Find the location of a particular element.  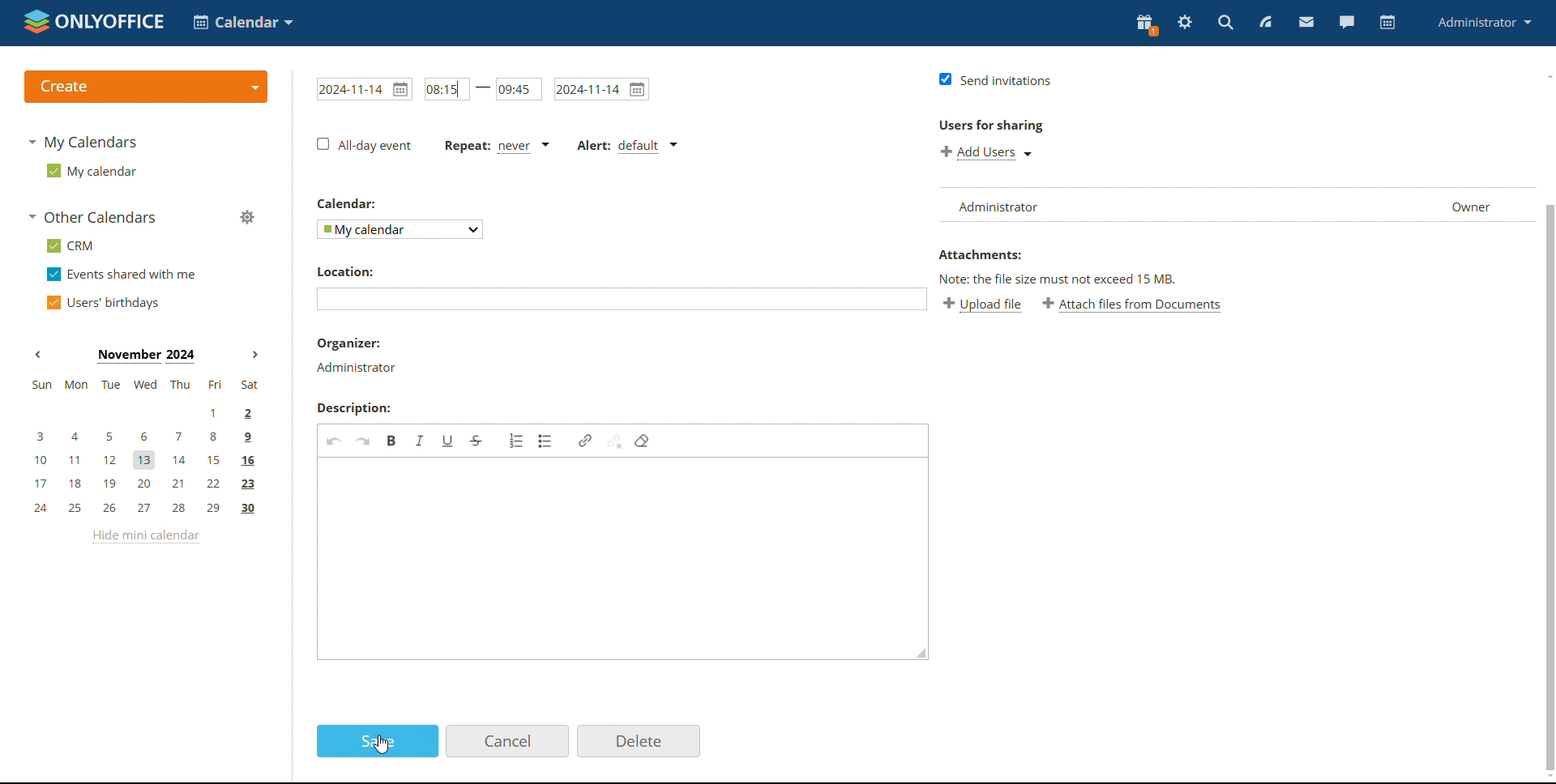

present is located at coordinates (1145, 25).